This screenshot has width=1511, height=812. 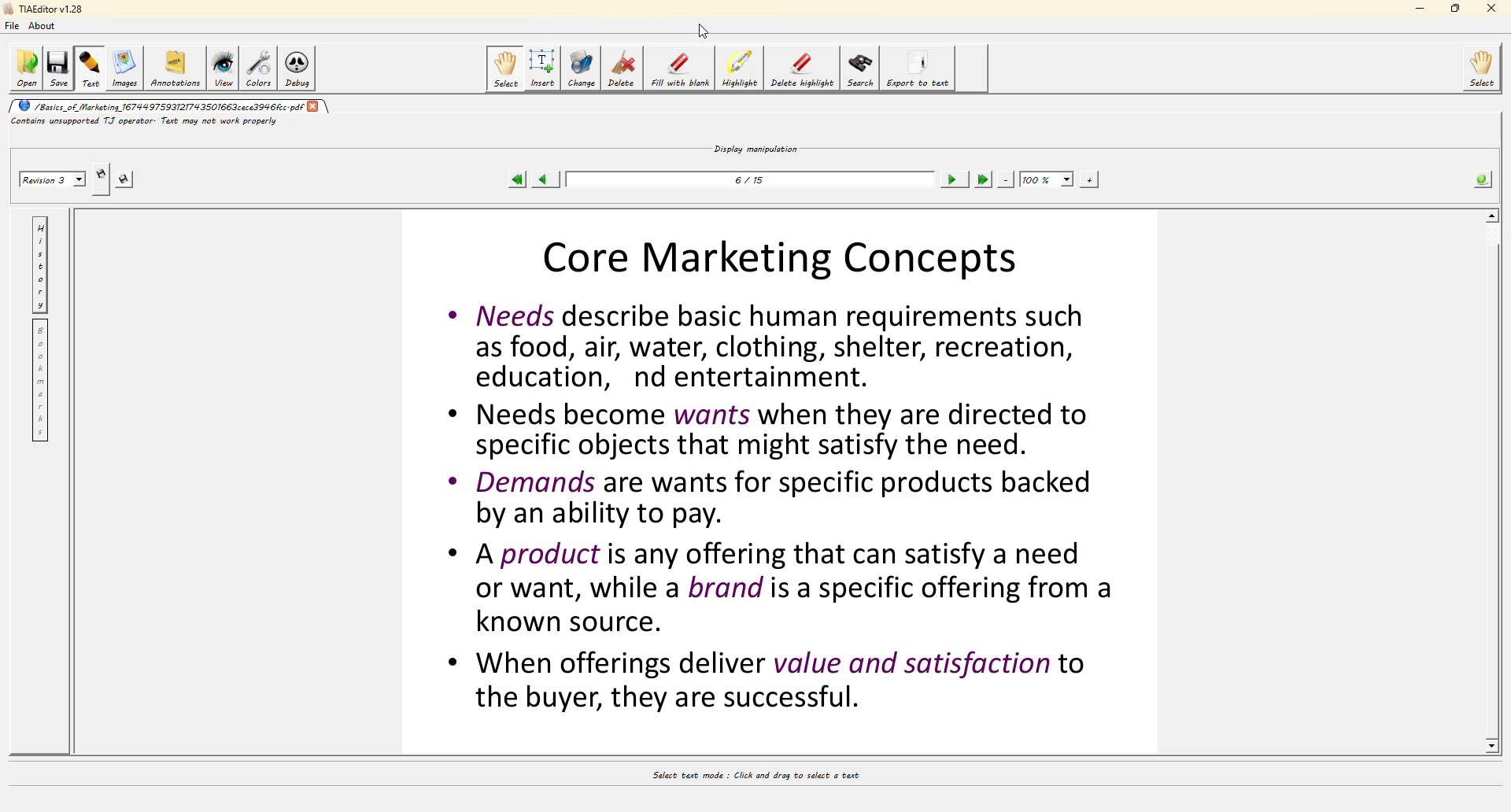 What do you see at coordinates (1483, 180) in the screenshot?
I see `info` at bounding box center [1483, 180].